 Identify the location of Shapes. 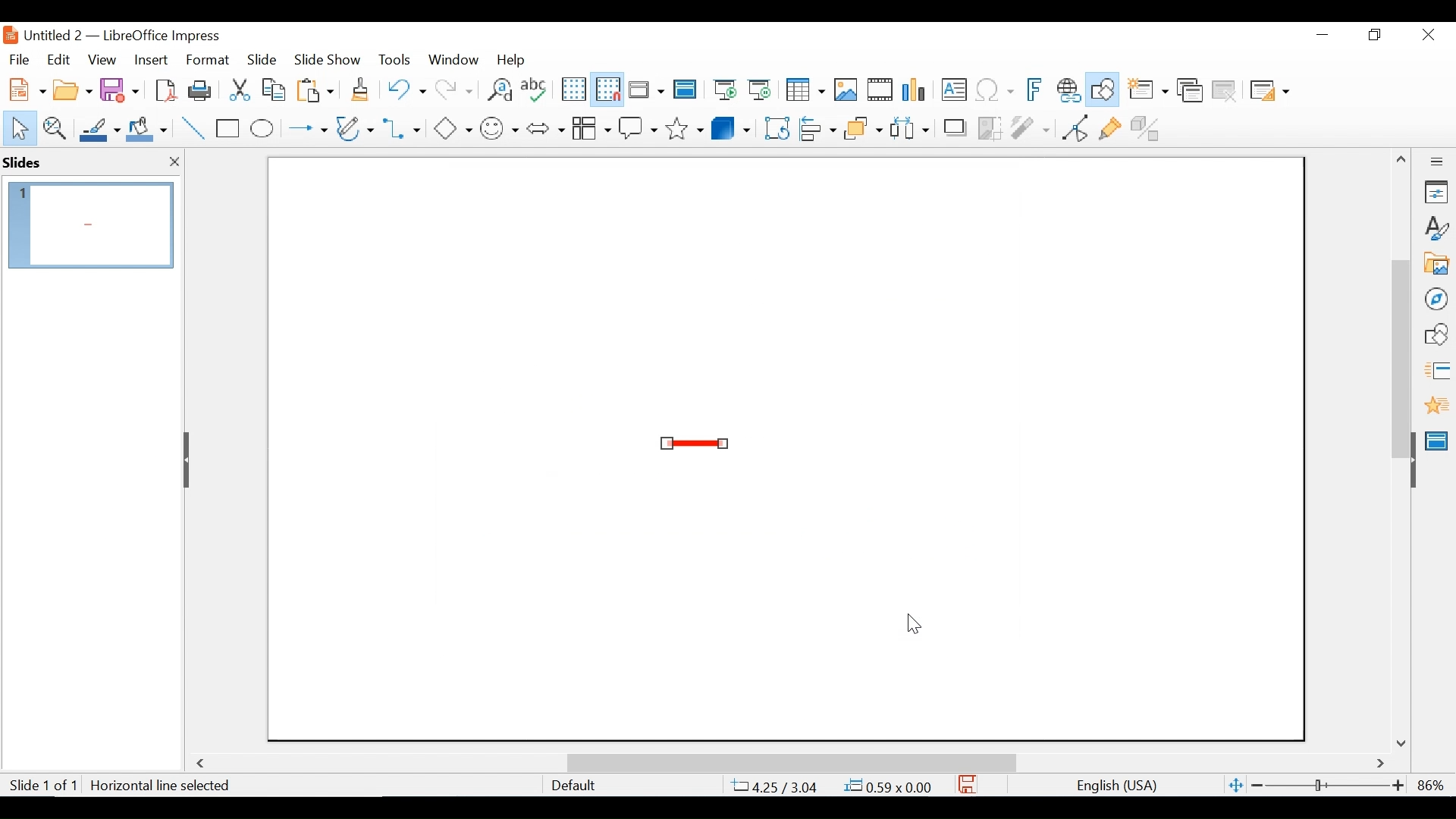
(1436, 334).